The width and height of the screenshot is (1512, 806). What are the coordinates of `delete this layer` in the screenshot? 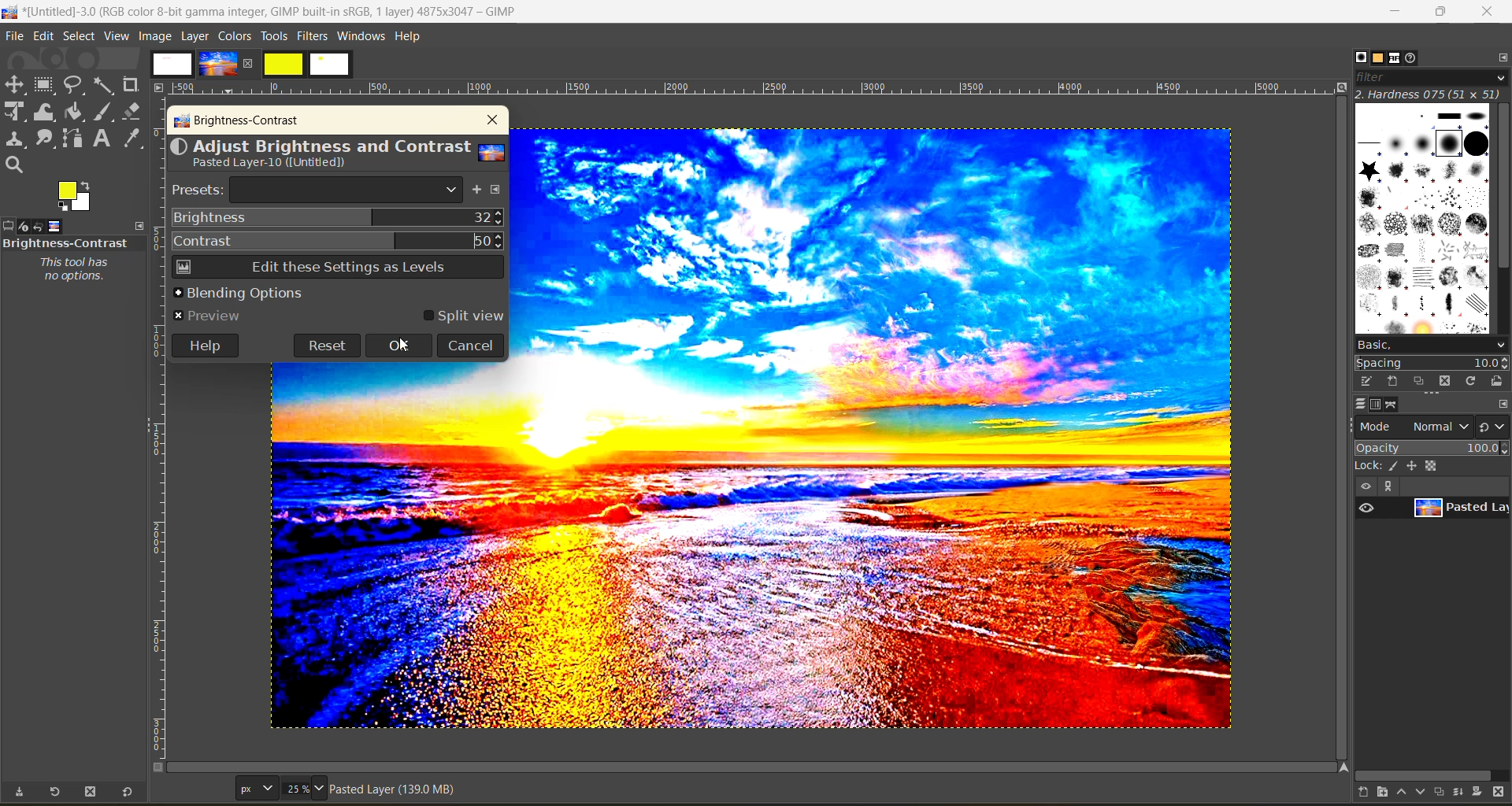 It's located at (1503, 793).